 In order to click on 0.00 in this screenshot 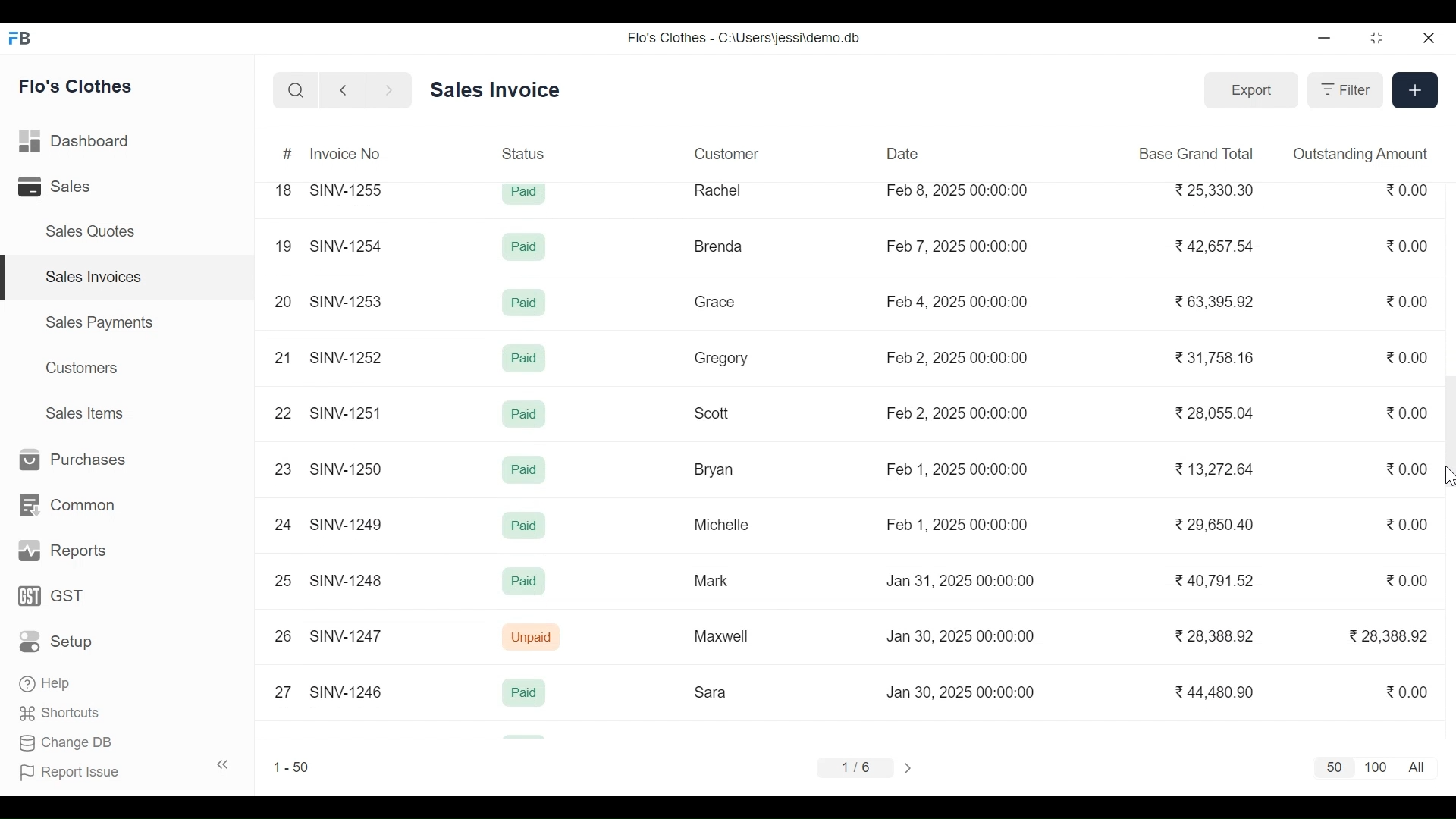, I will do `click(1409, 469)`.